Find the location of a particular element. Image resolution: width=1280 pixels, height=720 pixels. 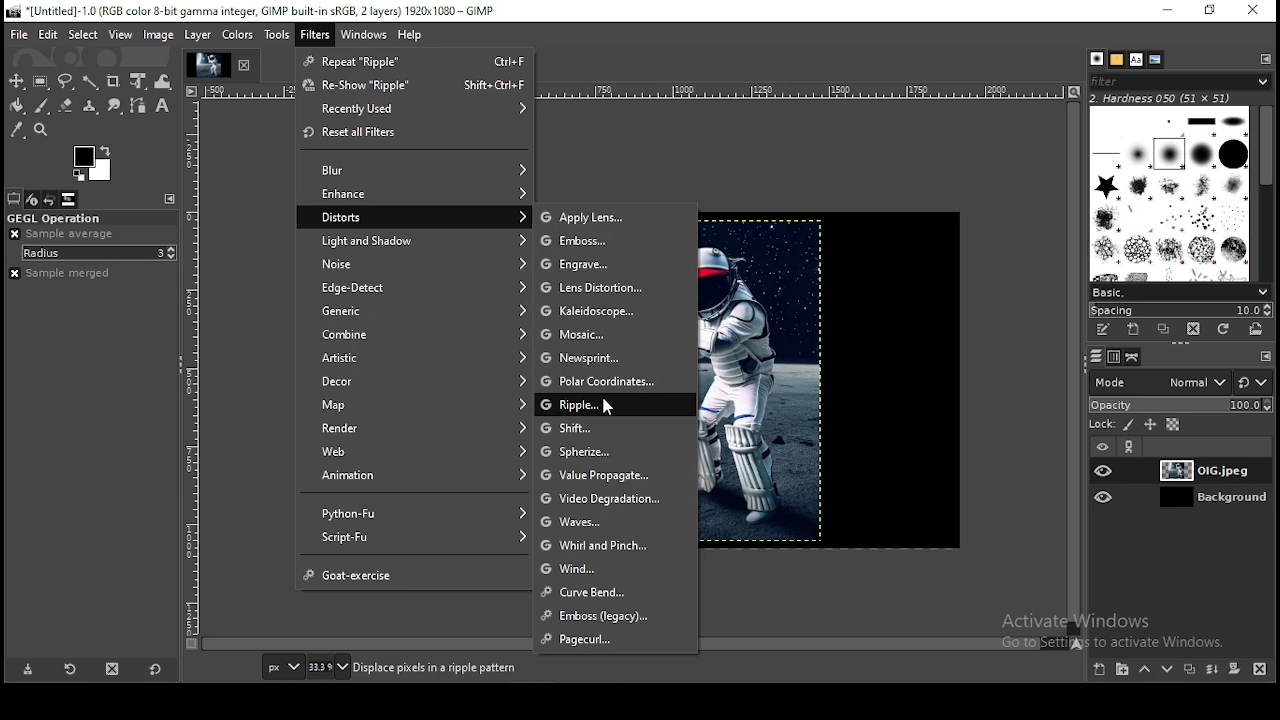

scroll bar is located at coordinates (1074, 369).